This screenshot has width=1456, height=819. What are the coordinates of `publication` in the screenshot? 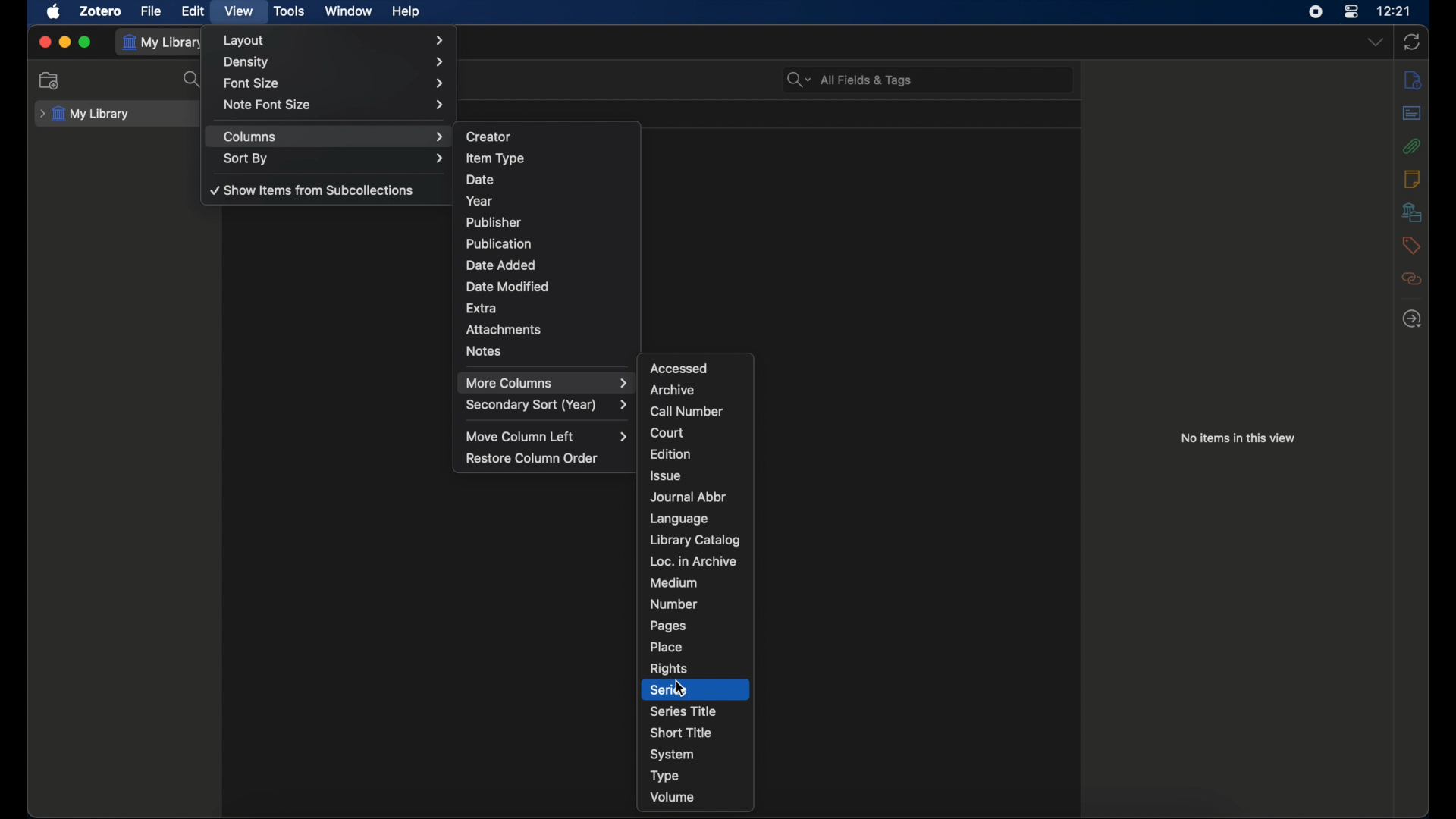 It's located at (497, 243).